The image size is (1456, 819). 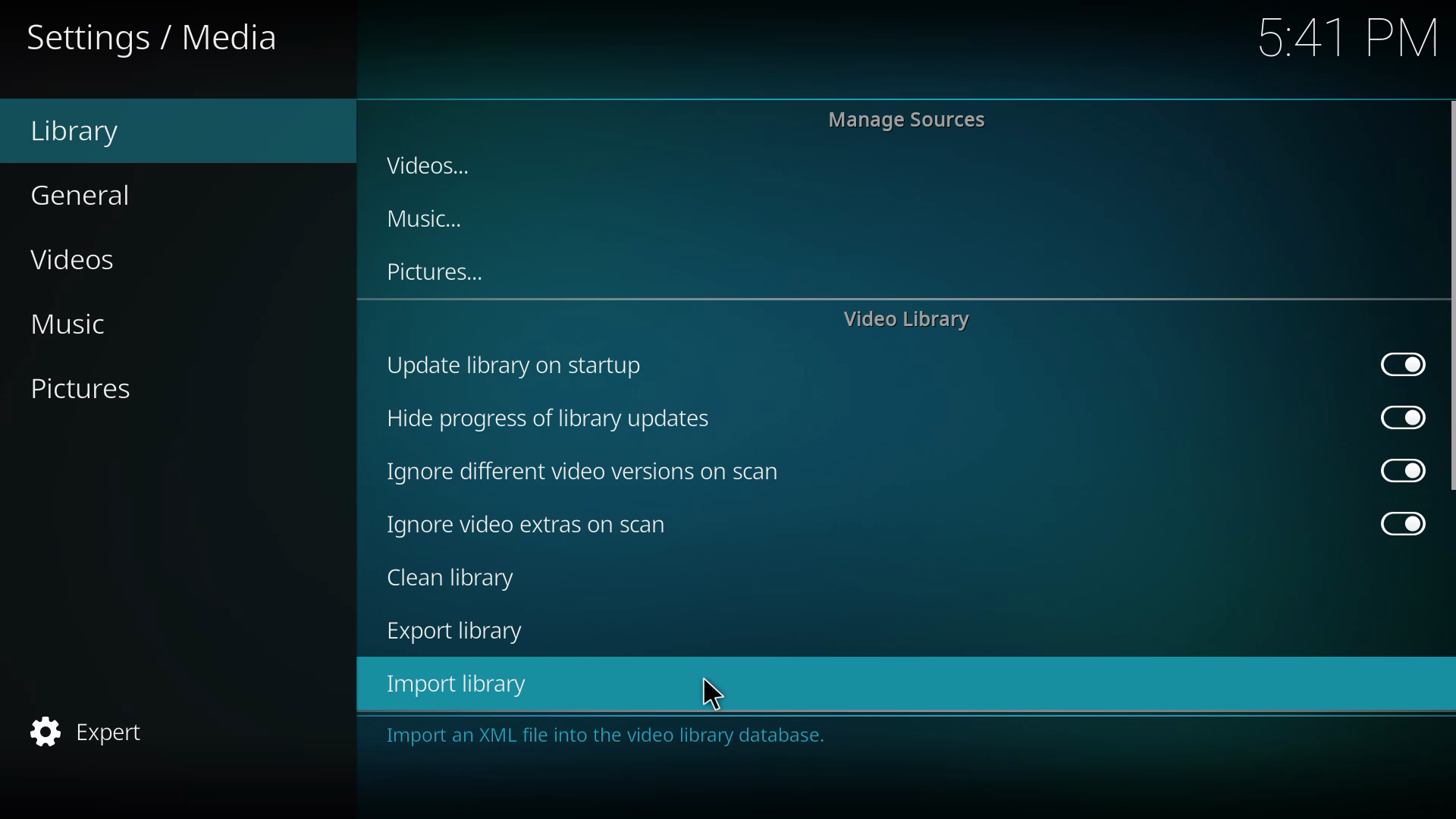 What do you see at coordinates (74, 195) in the screenshot?
I see `general` at bounding box center [74, 195].